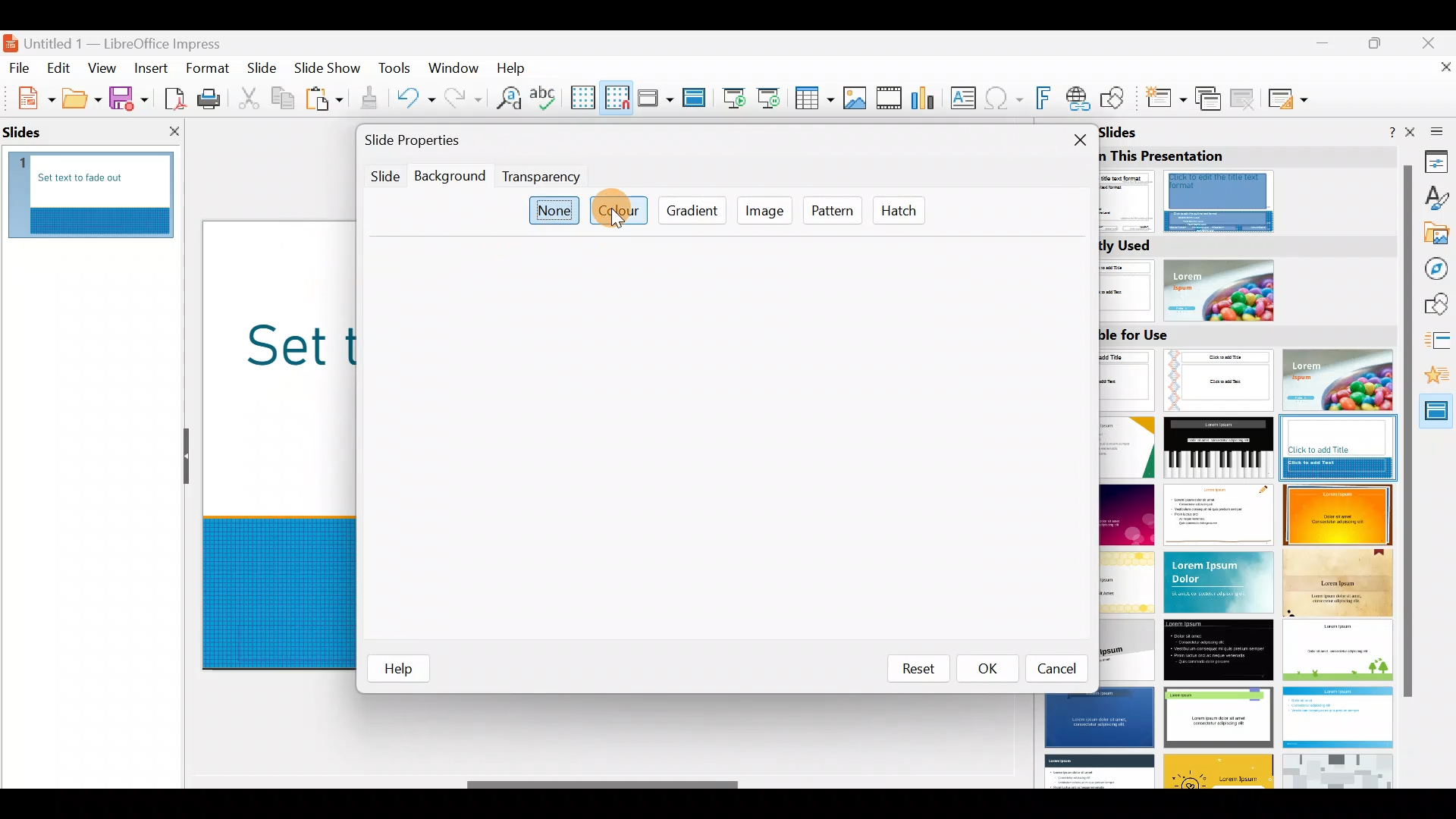 The height and width of the screenshot is (819, 1456). Describe the element at coordinates (1434, 41) in the screenshot. I see `Close` at that location.